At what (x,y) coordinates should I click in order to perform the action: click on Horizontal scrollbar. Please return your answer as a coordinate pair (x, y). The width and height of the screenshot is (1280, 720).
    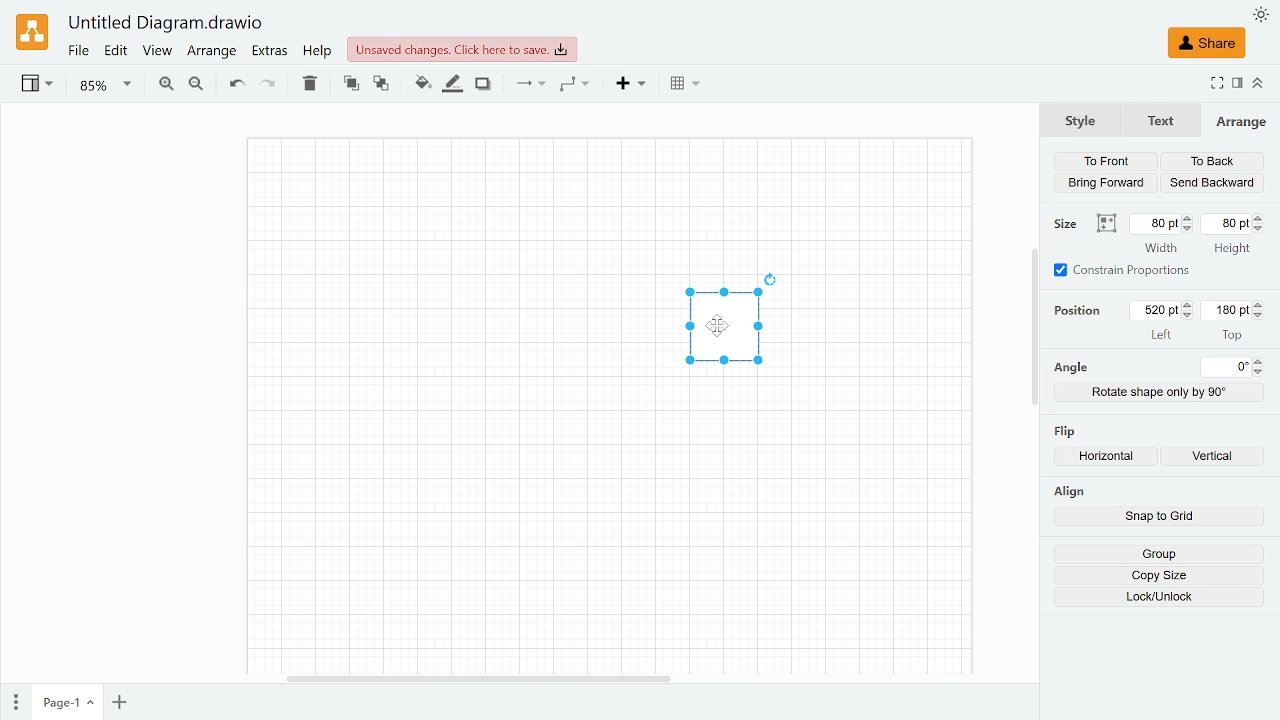
    Looking at the image, I should click on (479, 677).